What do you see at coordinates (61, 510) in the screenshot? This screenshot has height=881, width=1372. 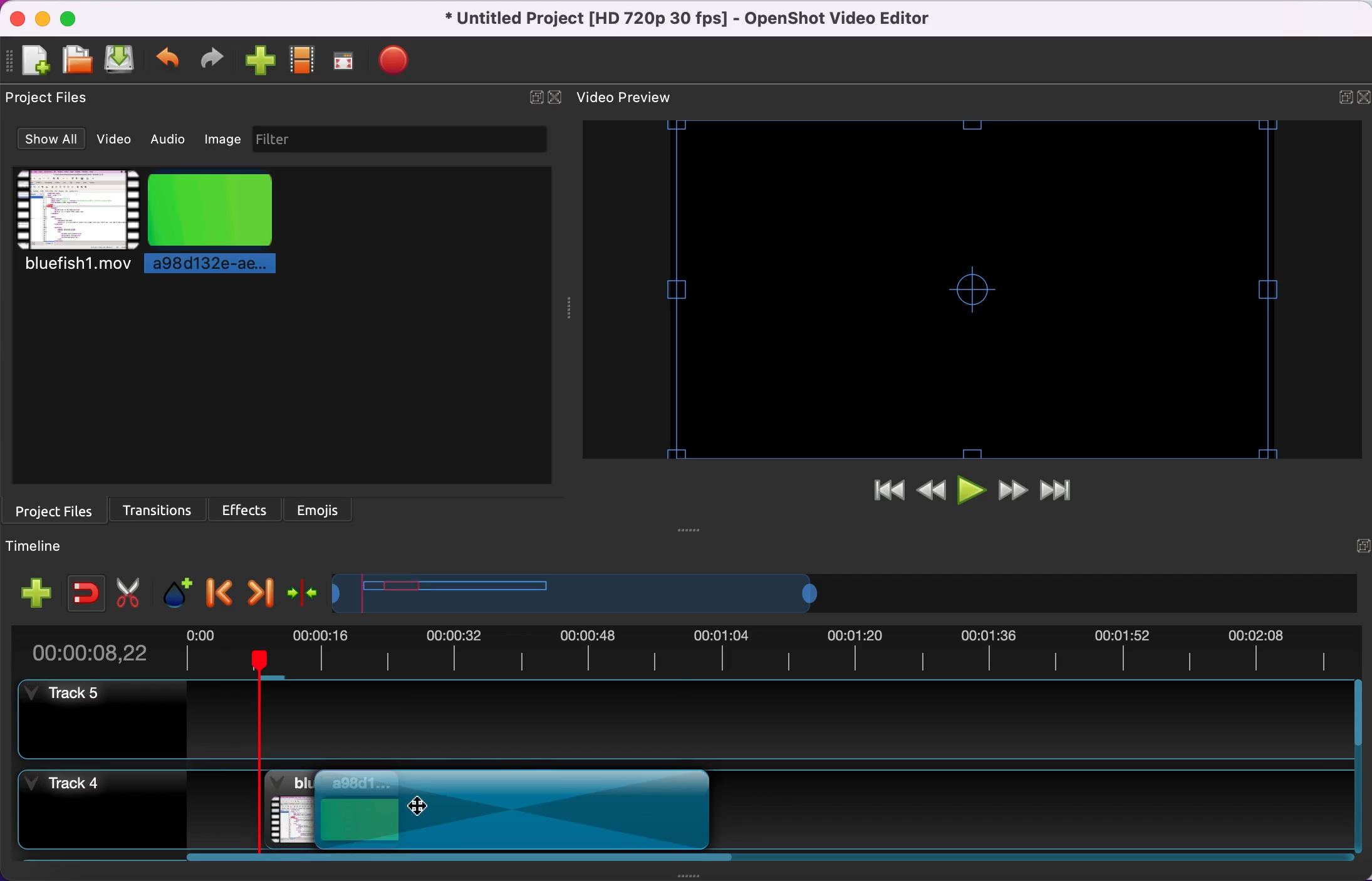 I see `project files` at bounding box center [61, 510].